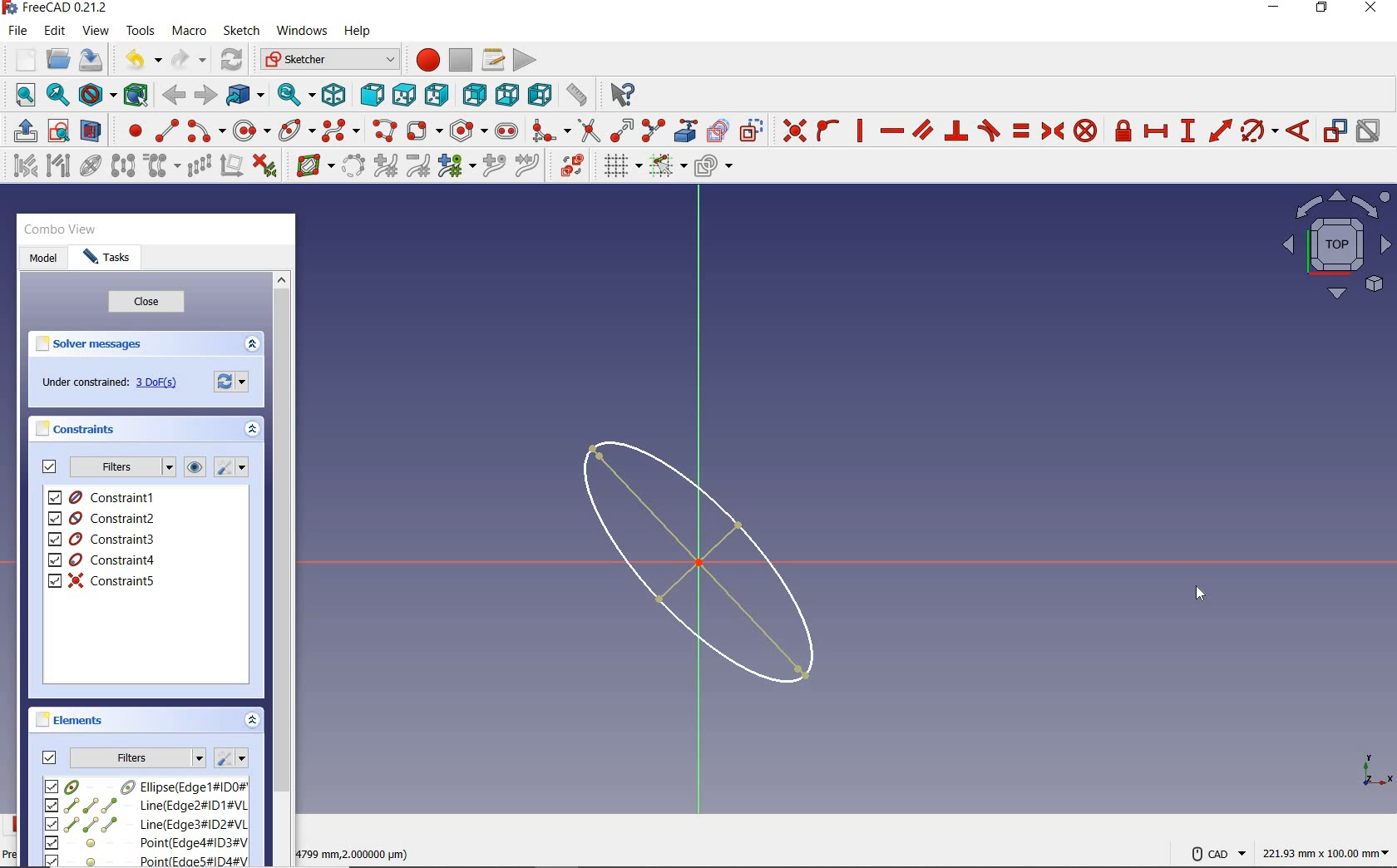 This screenshot has height=868, width=1397. I want to click on constrain parallel, so click(921, 129).